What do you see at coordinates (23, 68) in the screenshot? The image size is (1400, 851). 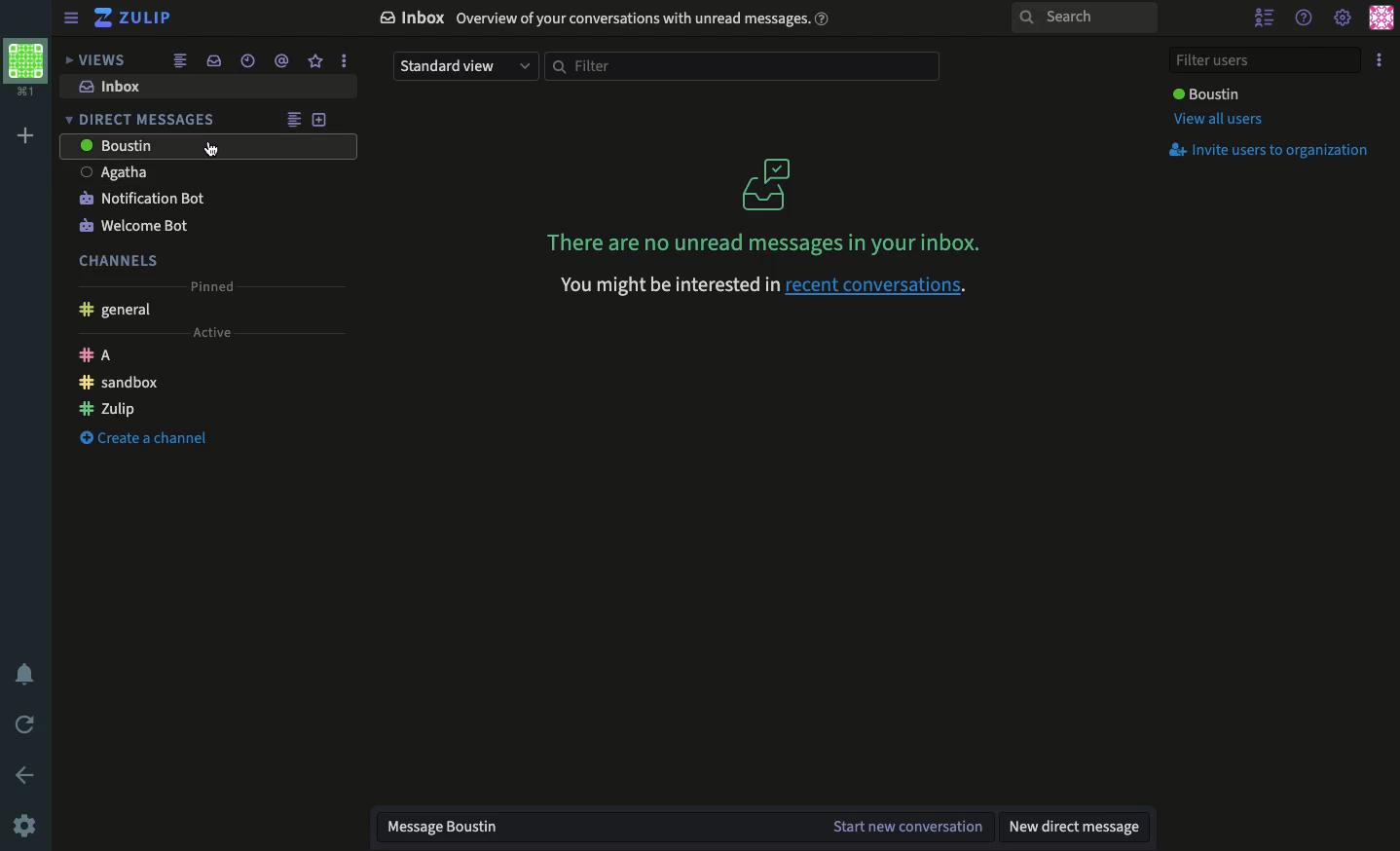 I see `Workspace profile` at bounding box center [23, 68].